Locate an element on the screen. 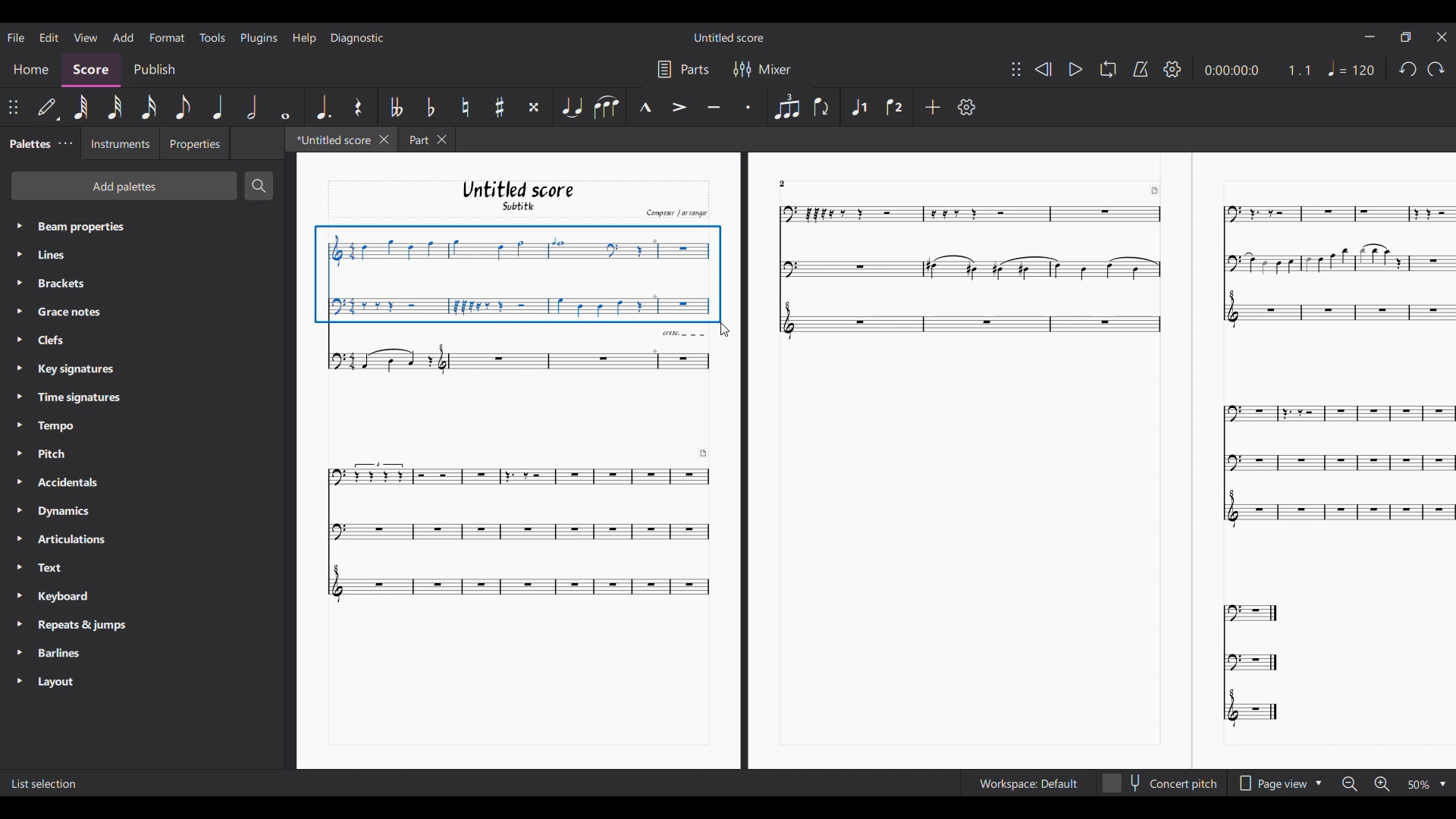  Toggle double sharp is located at coordinates (533, 106).